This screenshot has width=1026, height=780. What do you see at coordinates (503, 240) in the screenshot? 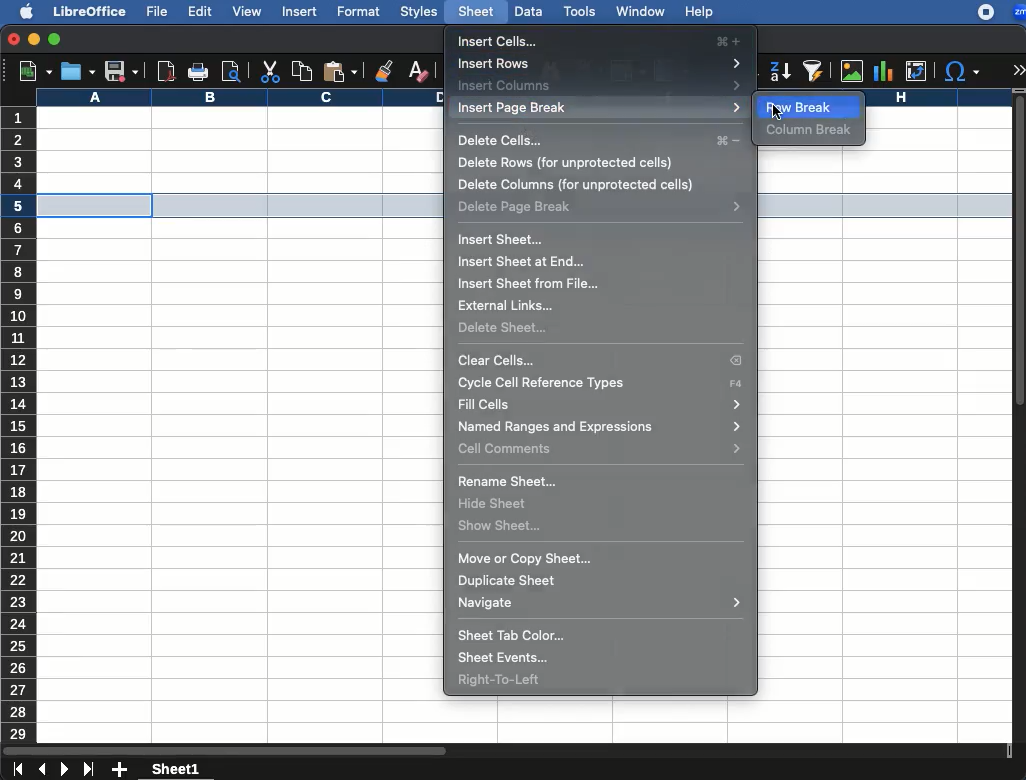
I see `insert sheet` at bounding box center [503, 240].